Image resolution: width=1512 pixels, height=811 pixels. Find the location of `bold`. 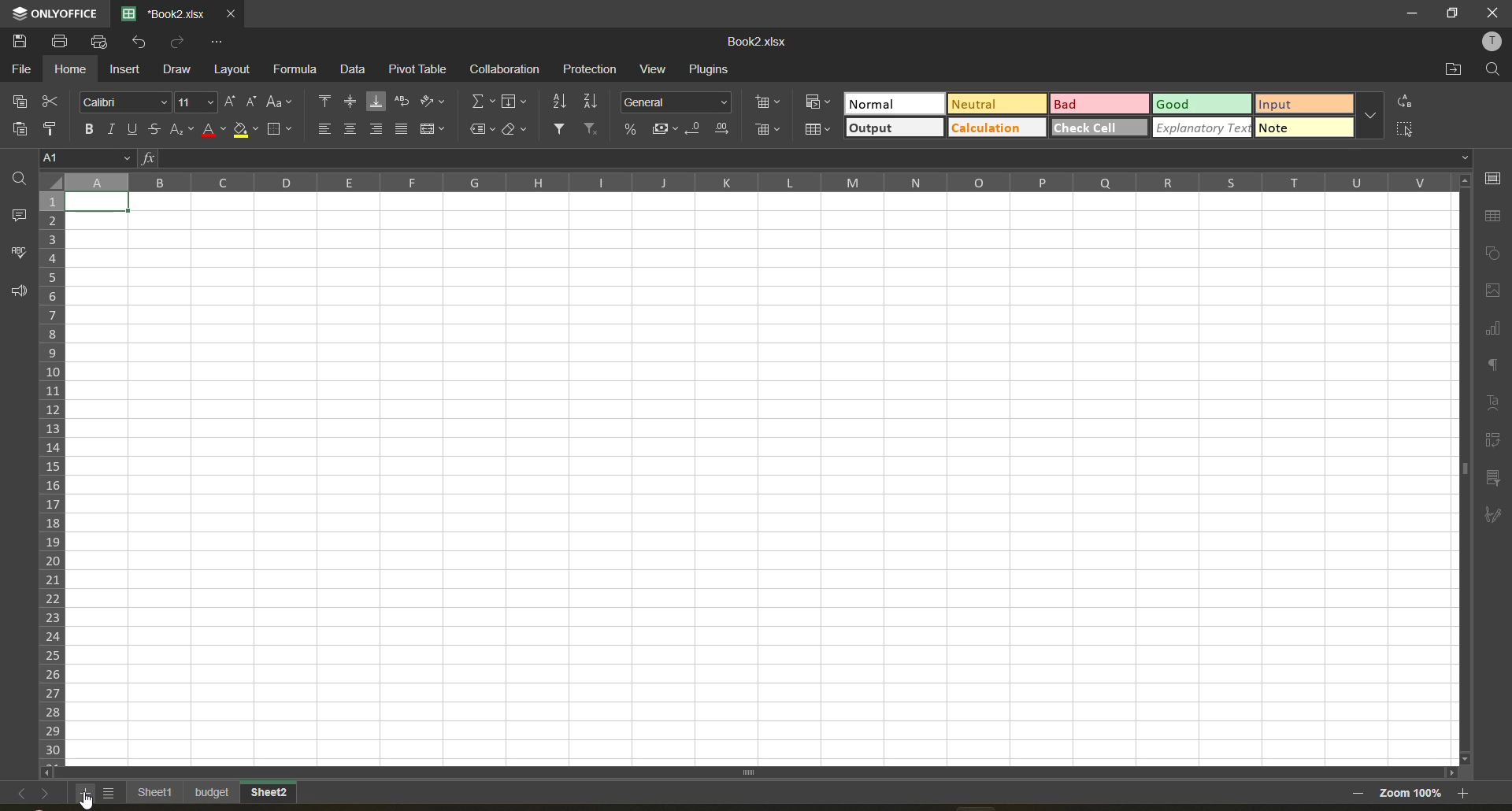

bold is located at coordinates (91, 130).